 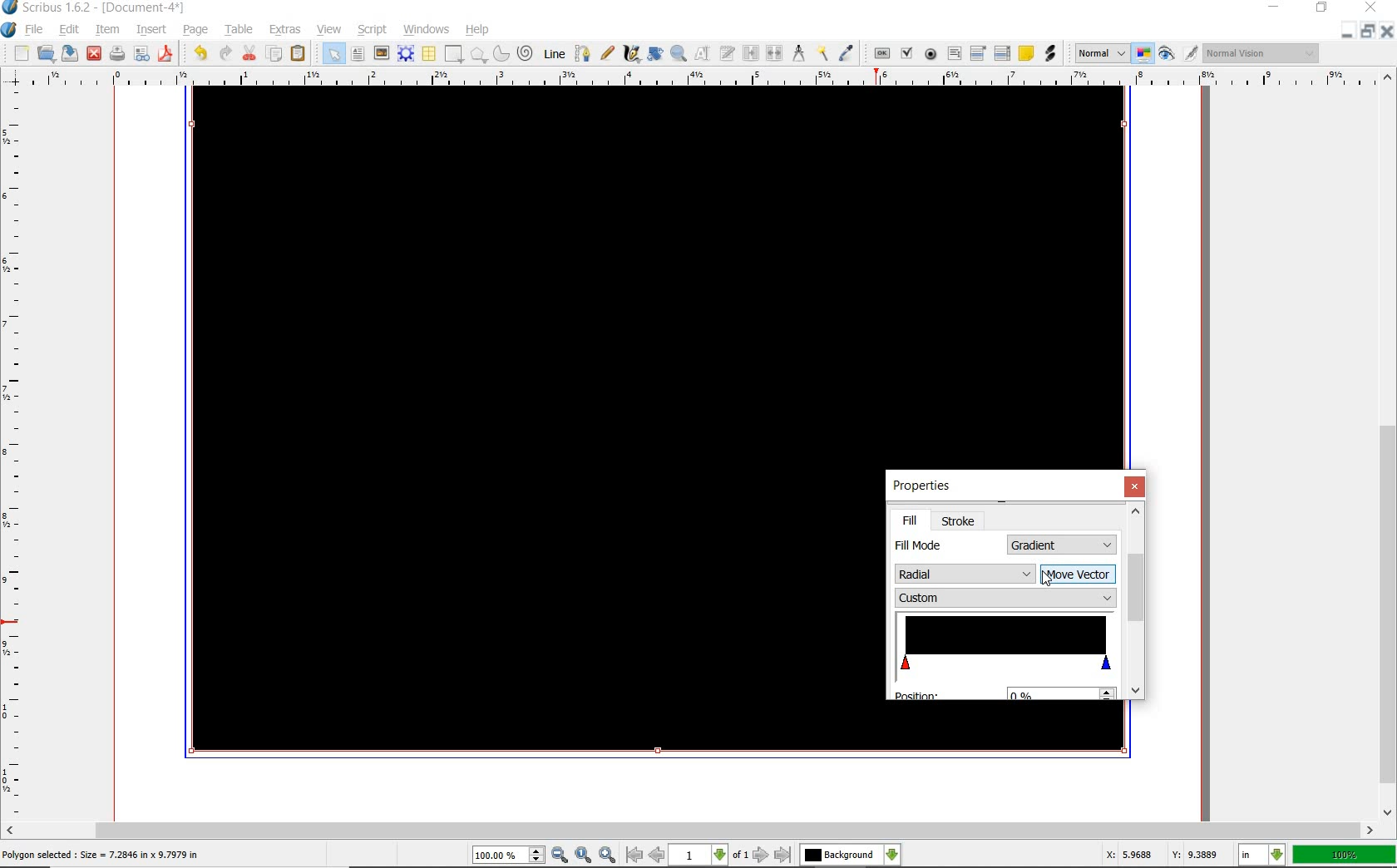 What do you see at coordinates (658, 856) in the screenshot?
I see `go to previous page` at bounding box center [658, 856].